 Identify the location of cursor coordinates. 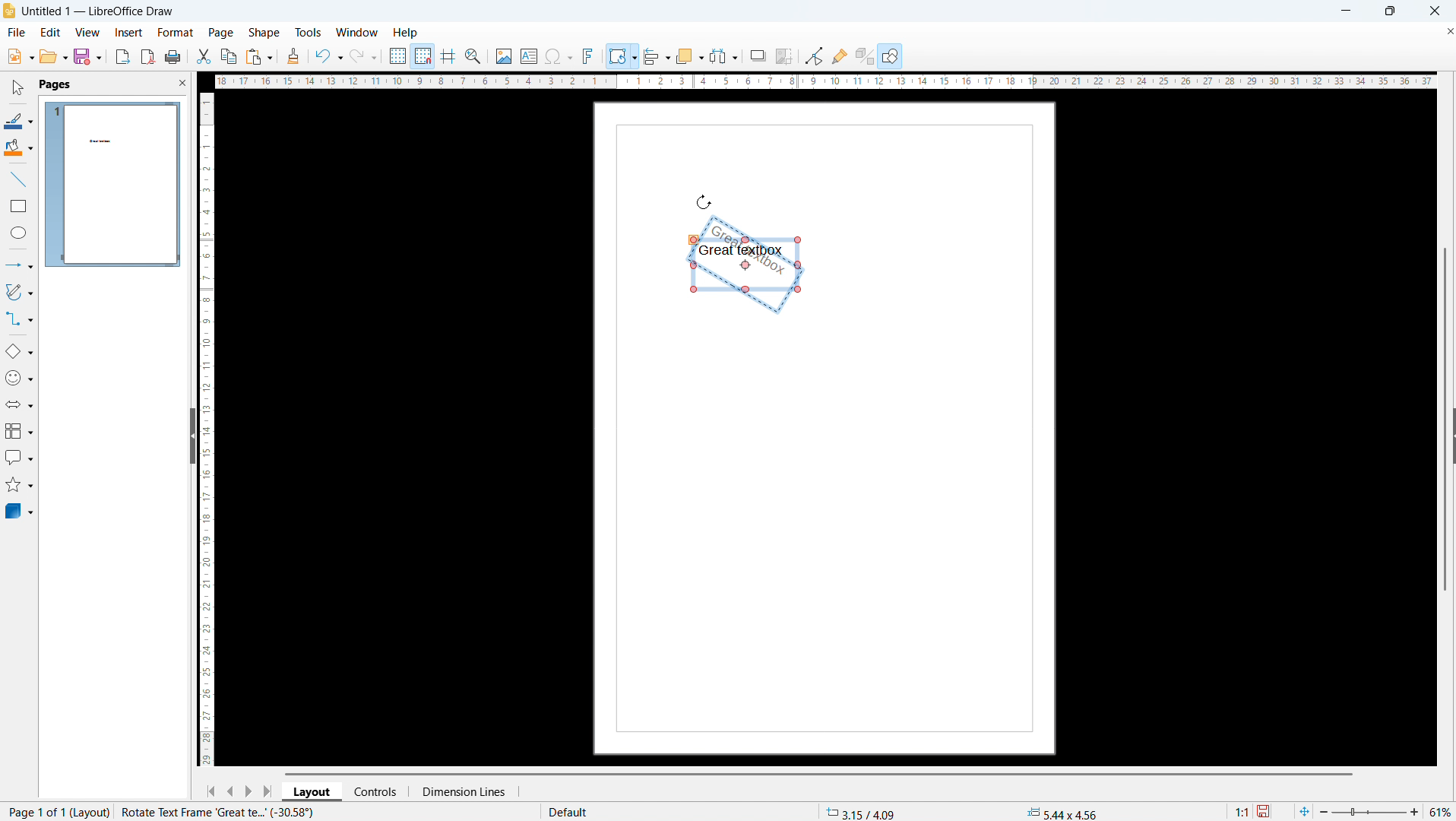
(863, 811).